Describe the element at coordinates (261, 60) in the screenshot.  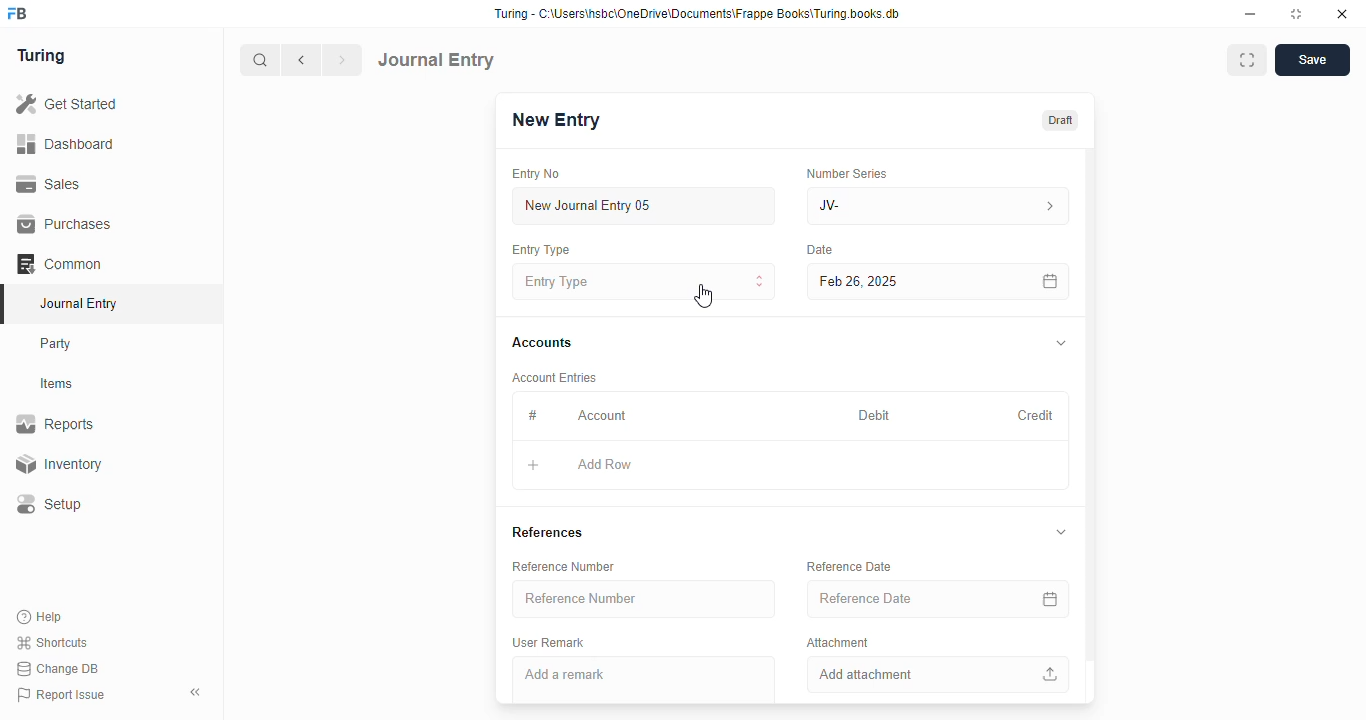
I see `search` at that location.